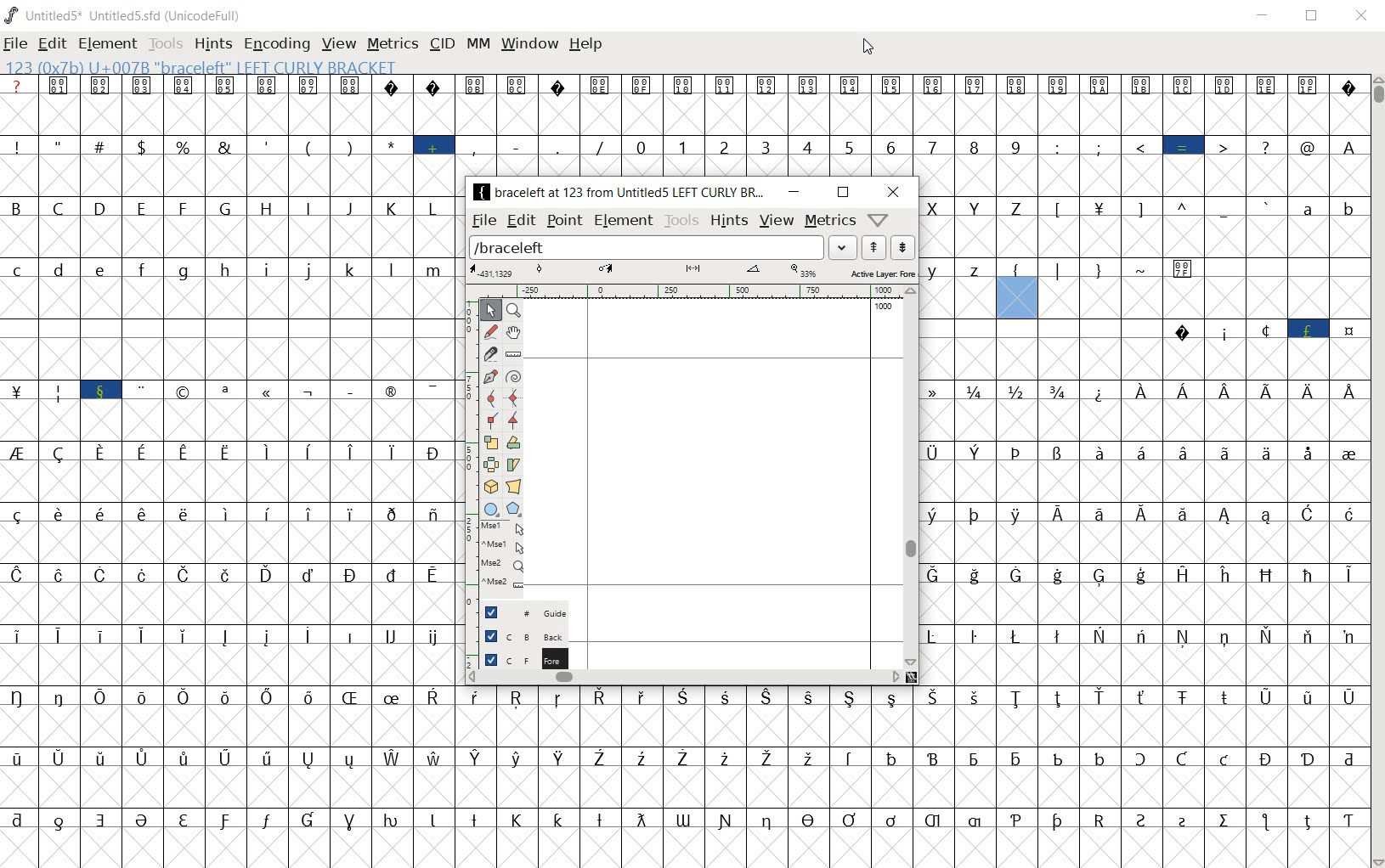 This screenshot has height=868, width=1385. What do you see at coordinates (795, 193) in the screenshot?
I see `minimize` at bounding box center [795, 193].